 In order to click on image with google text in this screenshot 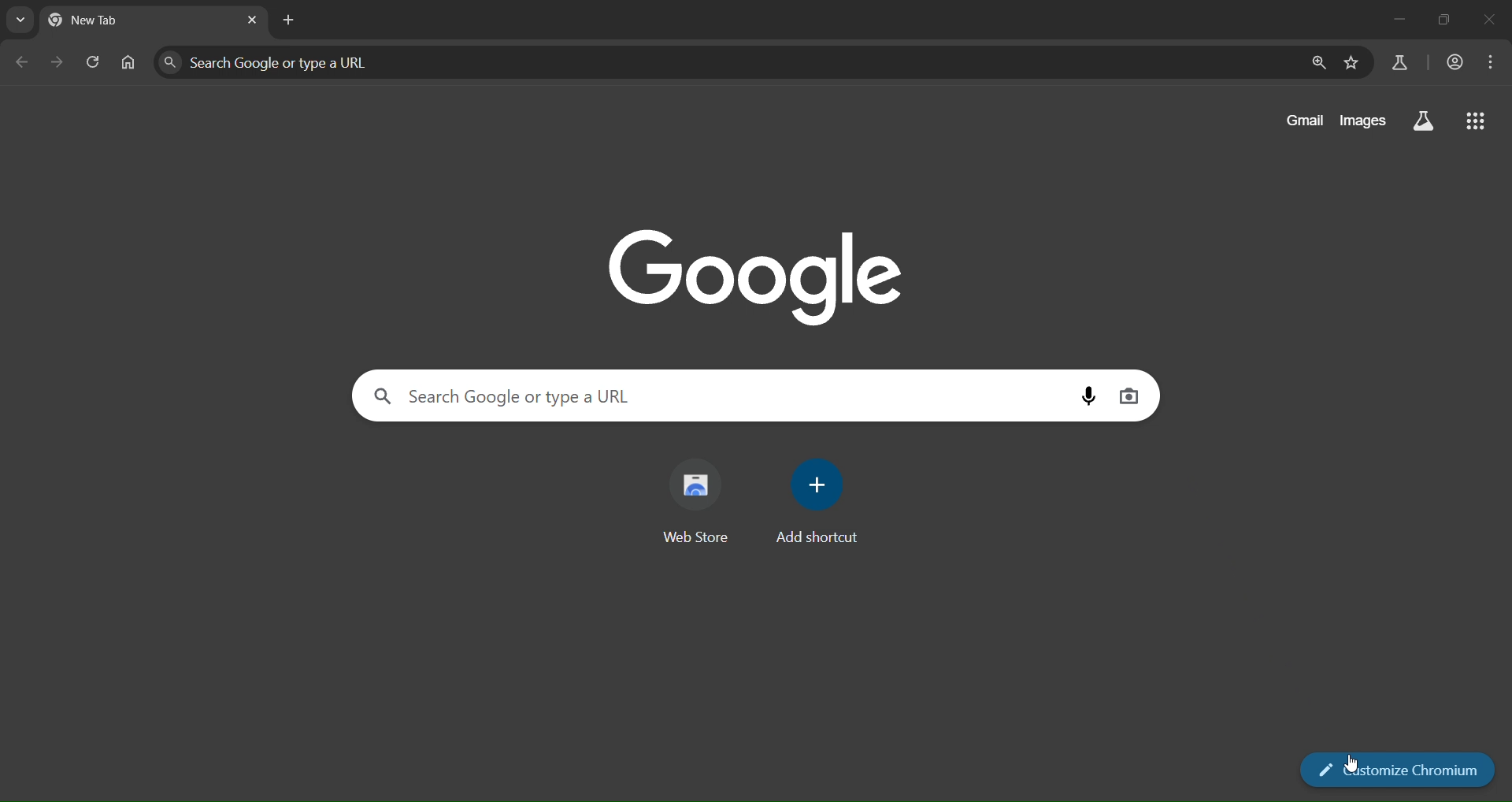, I will do `click(761, 270)`.